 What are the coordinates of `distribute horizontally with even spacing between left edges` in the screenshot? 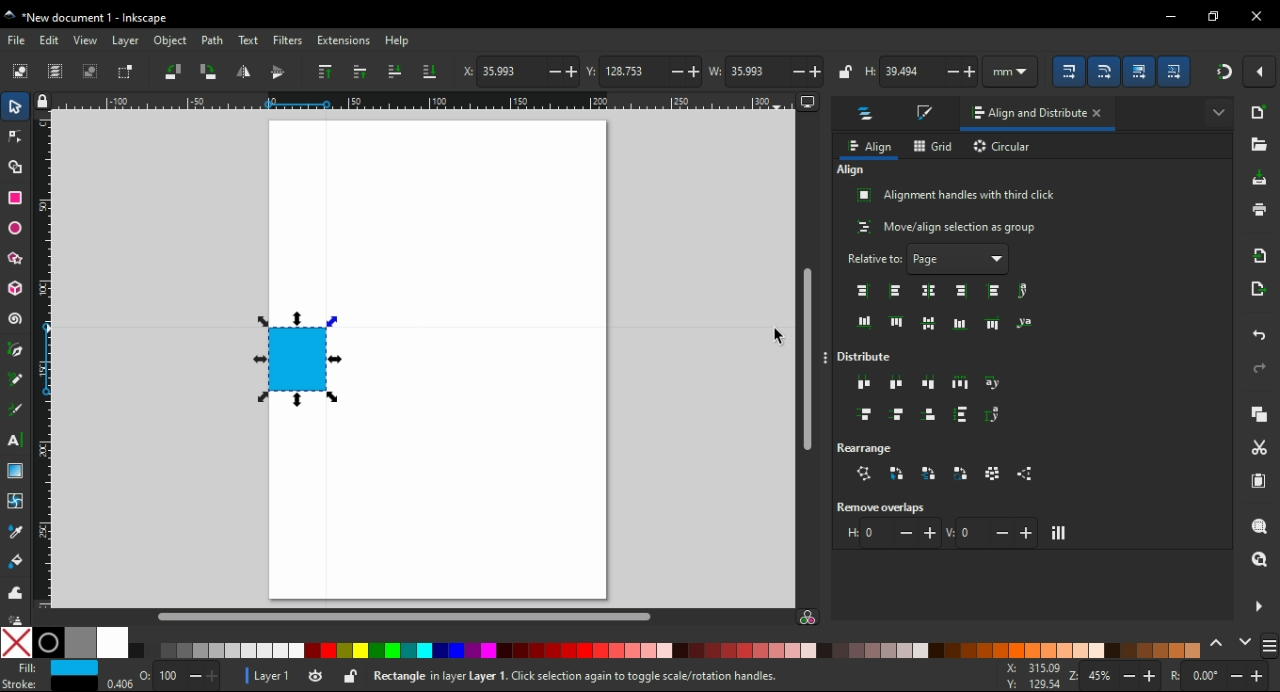 It's located at (863, 384).